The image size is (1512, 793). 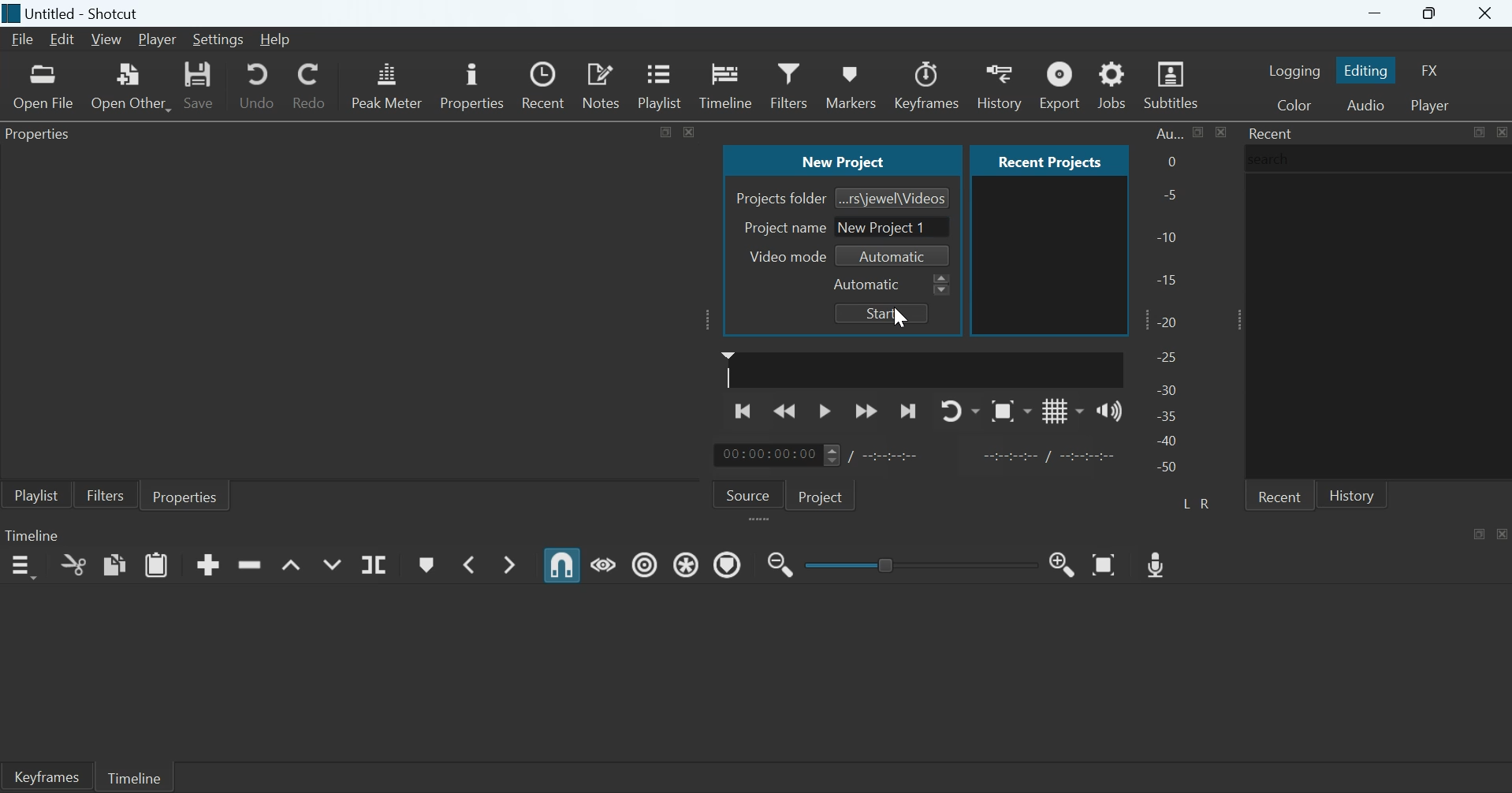 What do you see at coordinates (928, 85) in the screenshot?
I see `Keyframes` at bounding box center [928, 85].